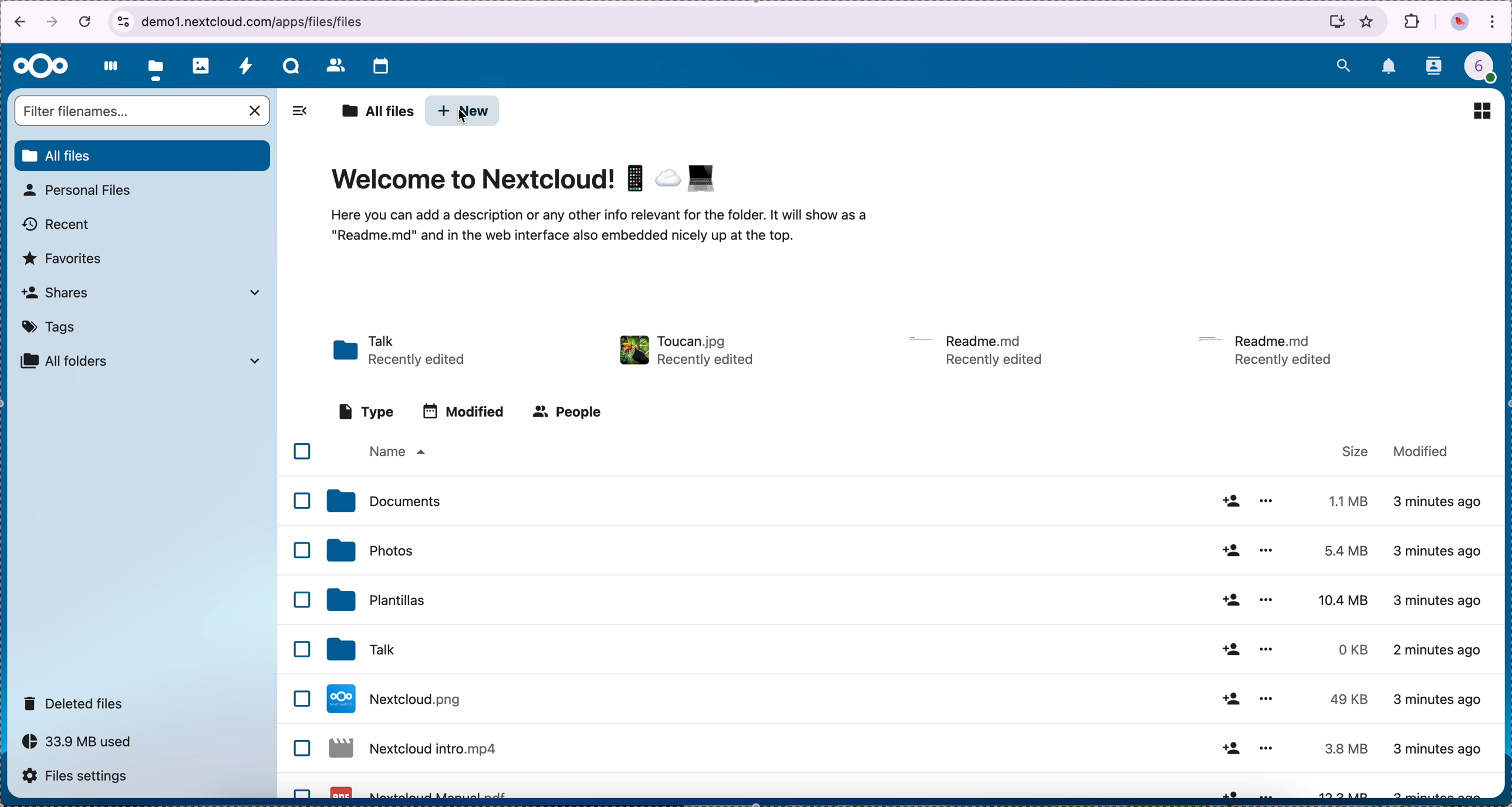 Image resolution: width=1512 pixels, height=807 pixels. What do you see at coordinates (398, 698) in the screenshot?
I see `Nextcloud file` at bounding box center [398, 698].